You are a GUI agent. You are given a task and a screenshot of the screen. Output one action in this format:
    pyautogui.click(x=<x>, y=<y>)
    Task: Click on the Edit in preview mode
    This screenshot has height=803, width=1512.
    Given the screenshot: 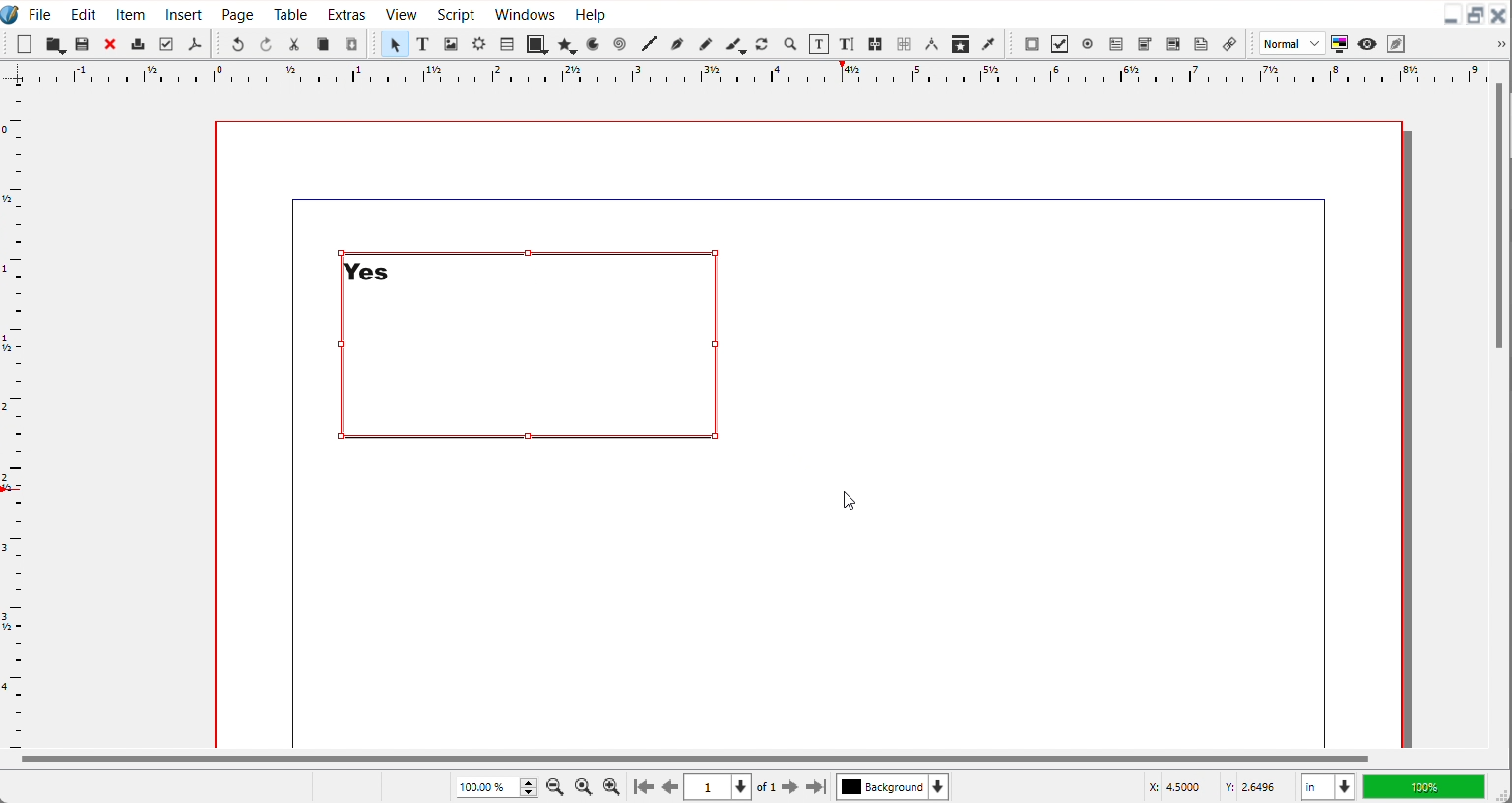 What is the action you would take?
    pyautogui.click(x=1397, y=43)
    